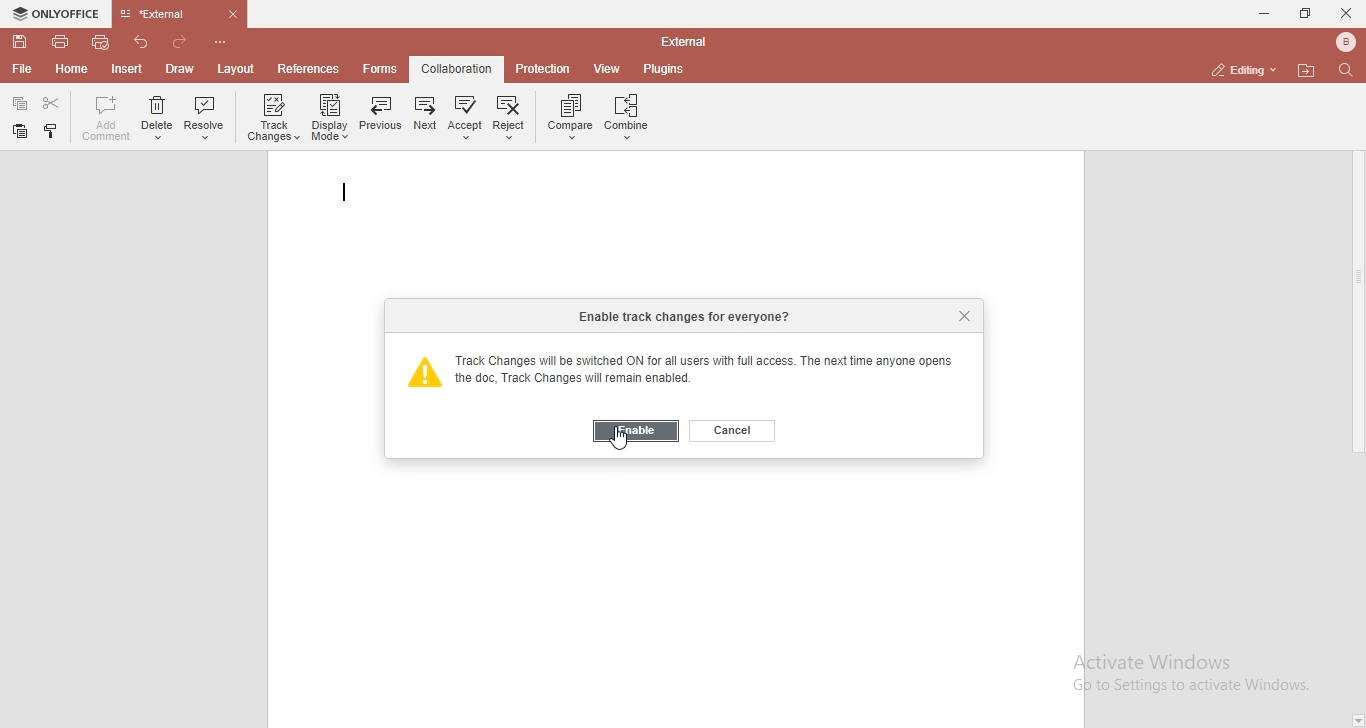 The height and width of the screenshot is (728, 1366). Describe the element at coordinates (21, 131) in the screenshot. I see `copy` at that location.